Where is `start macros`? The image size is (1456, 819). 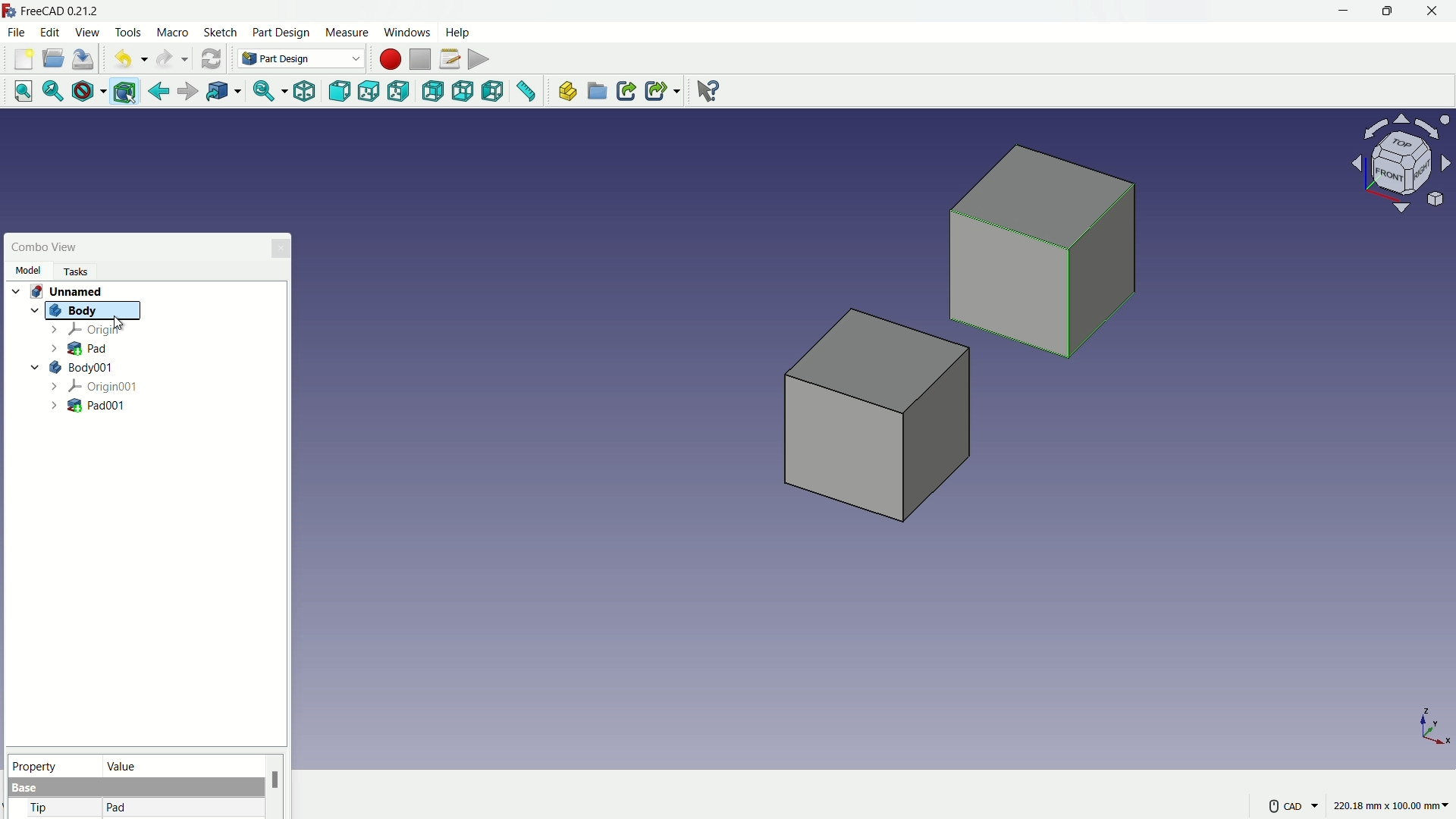 start macros is located at coordinates (389, 59).